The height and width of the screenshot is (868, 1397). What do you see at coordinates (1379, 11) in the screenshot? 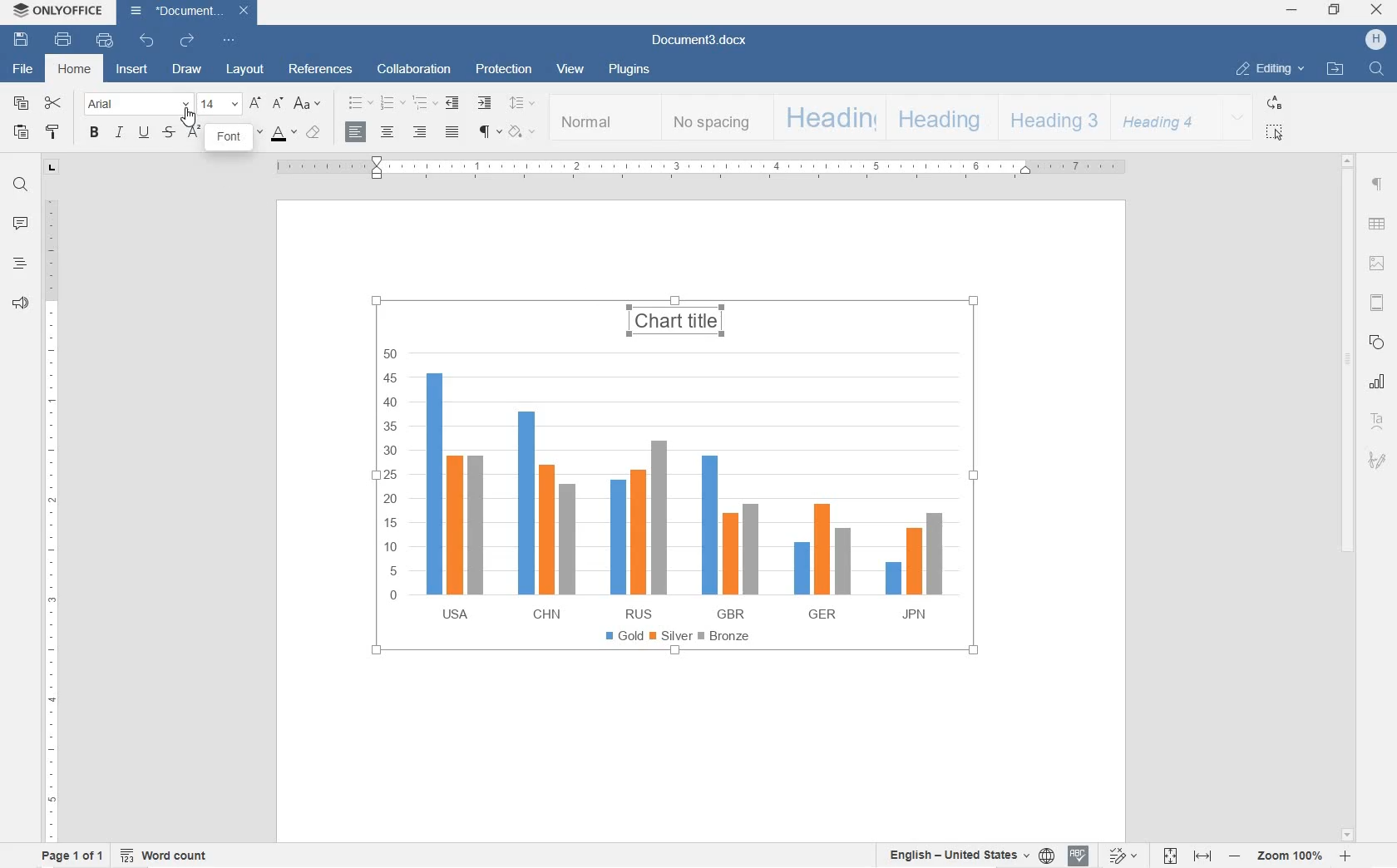
I see `CLOSE` at bounding box center [1379, 11].